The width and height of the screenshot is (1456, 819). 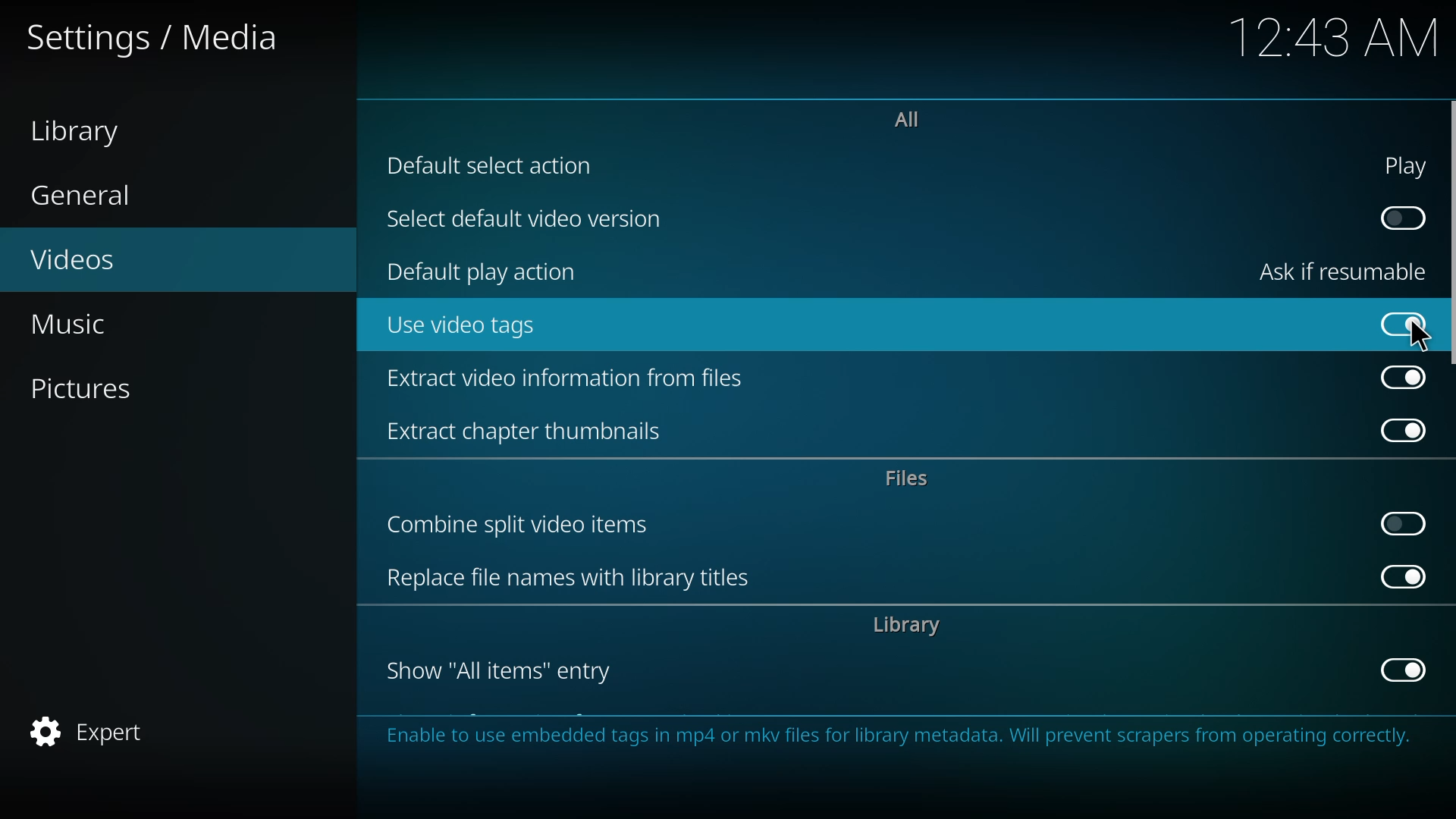 I want to click on info, so click(x=896, y=741).